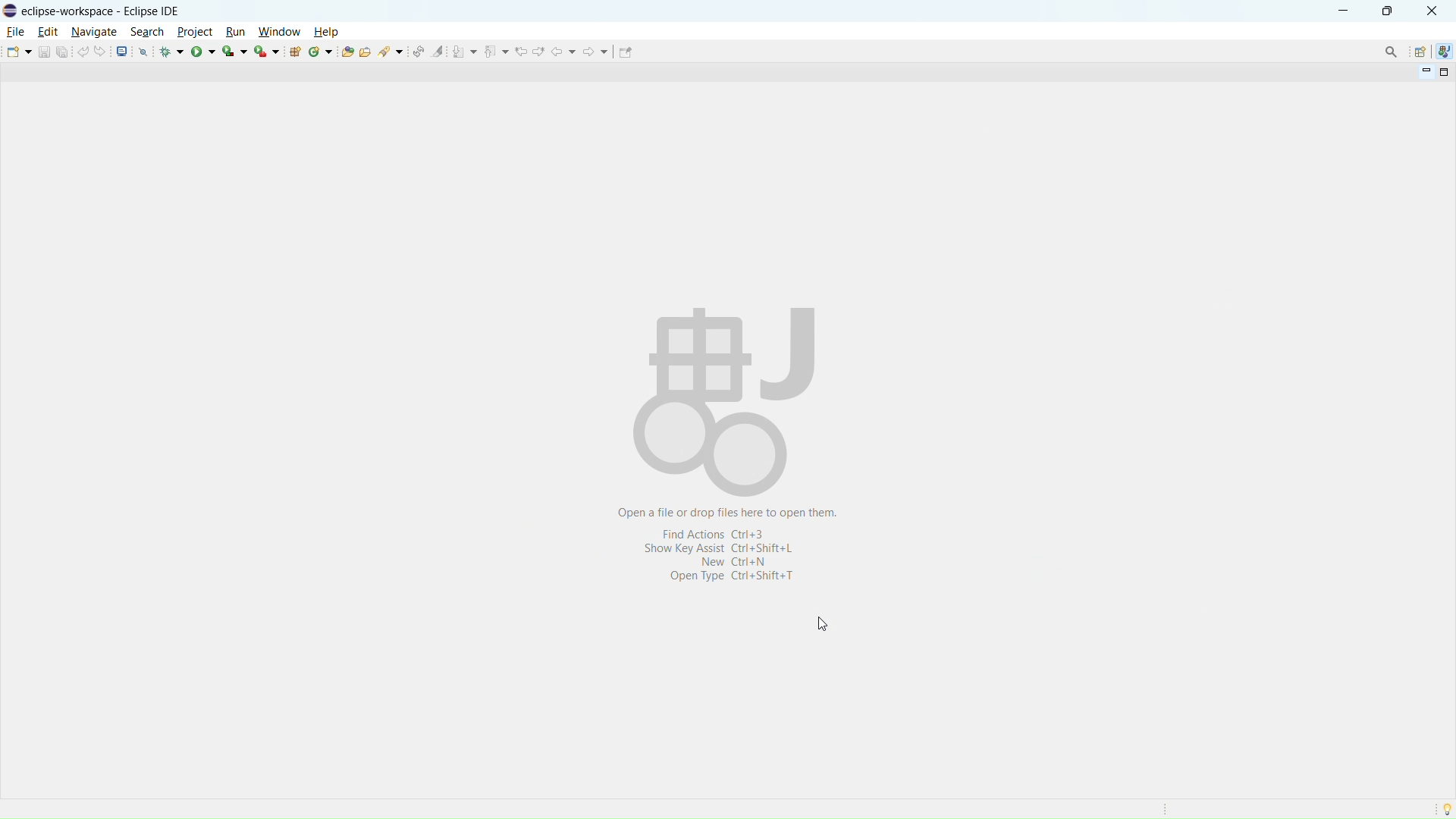  What do you see at coordinates (347, 51) in the screenshot?
I see `open type` at bounding box center [347, 51].